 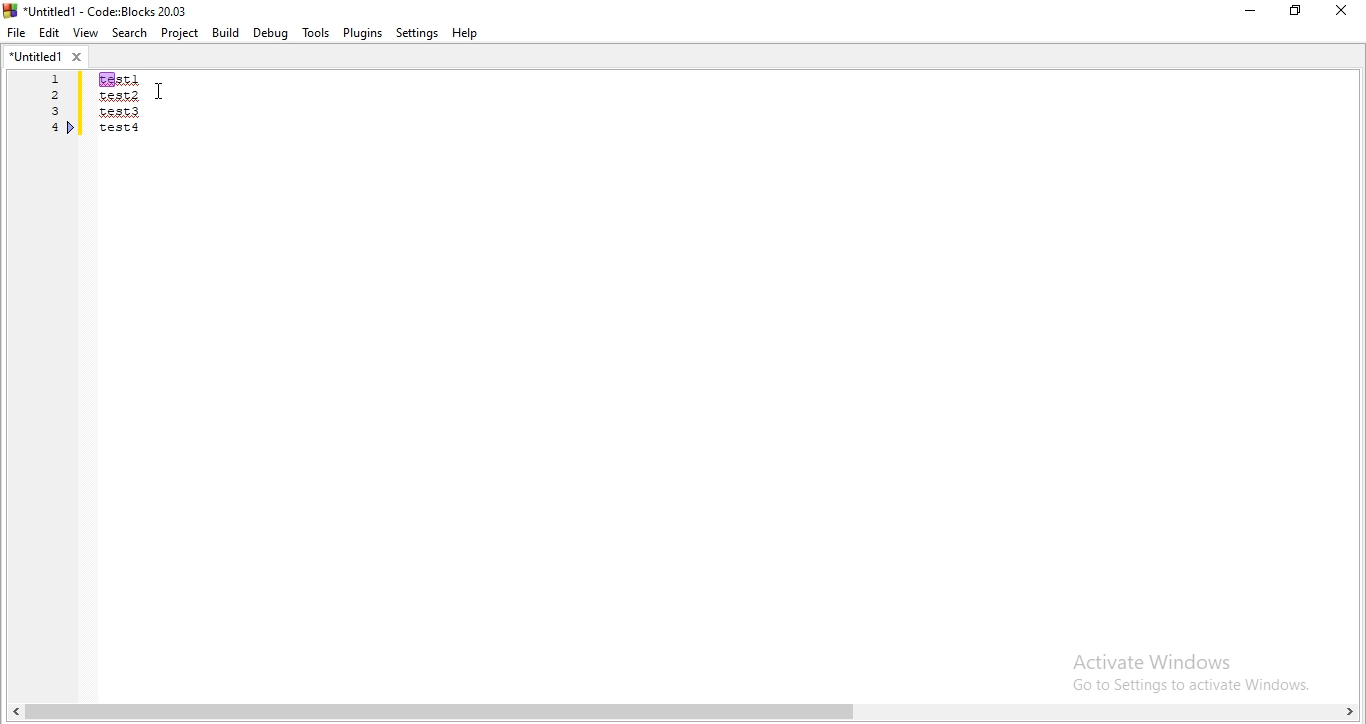 I want to click on Build , so click(x=224, y=33).